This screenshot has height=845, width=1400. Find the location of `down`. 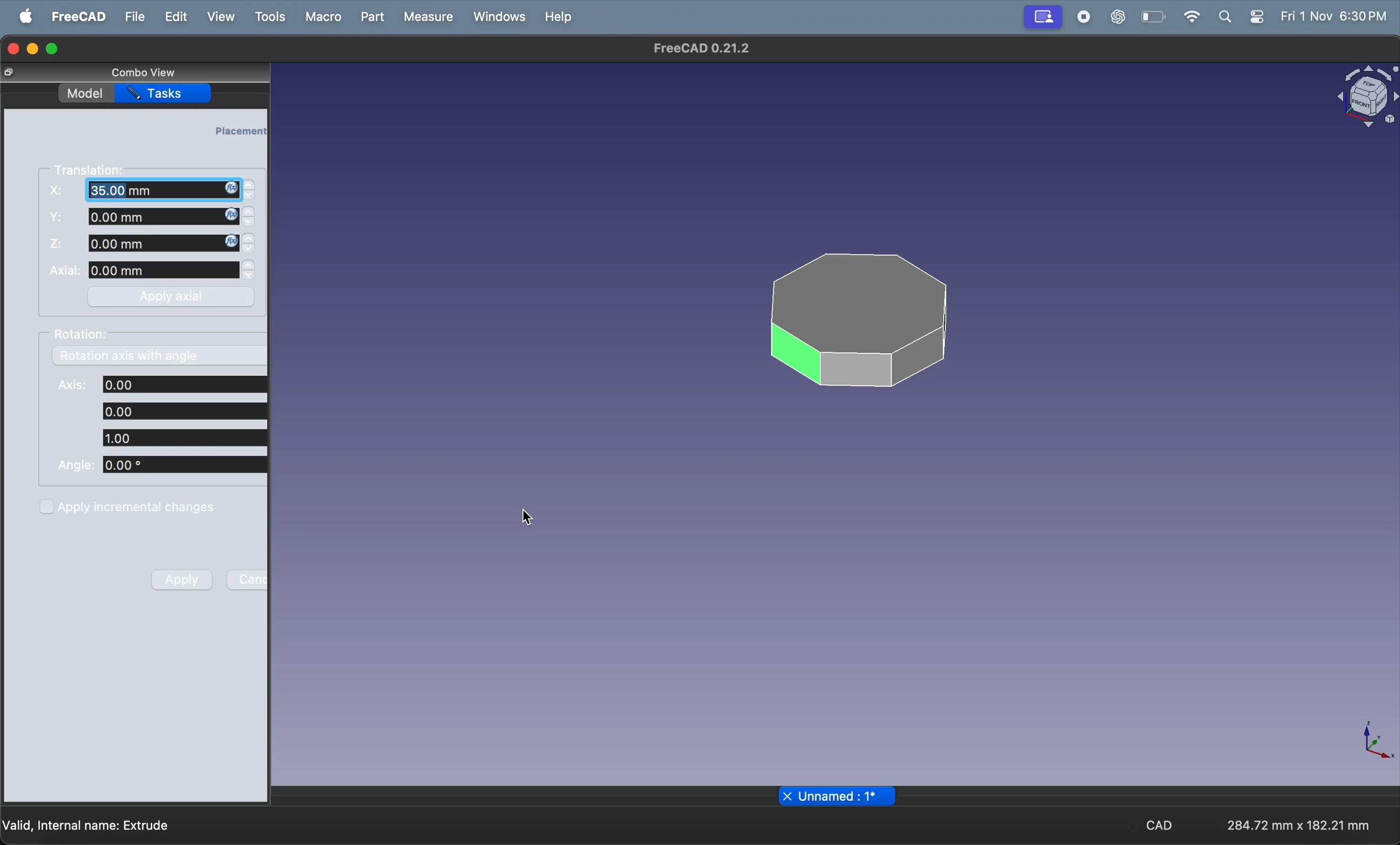

down is located at coordinates (249, 250).